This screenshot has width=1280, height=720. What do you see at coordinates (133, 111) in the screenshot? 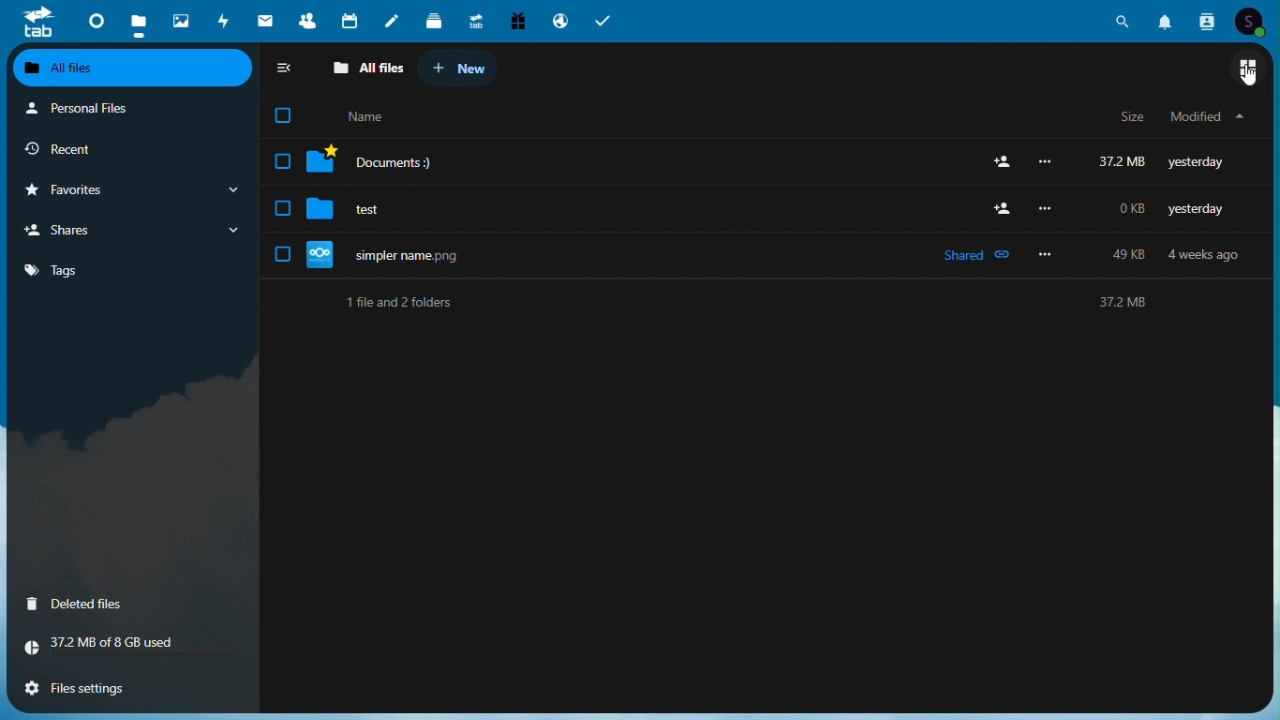
I see `Personal files` at bounding box center [133, 111].